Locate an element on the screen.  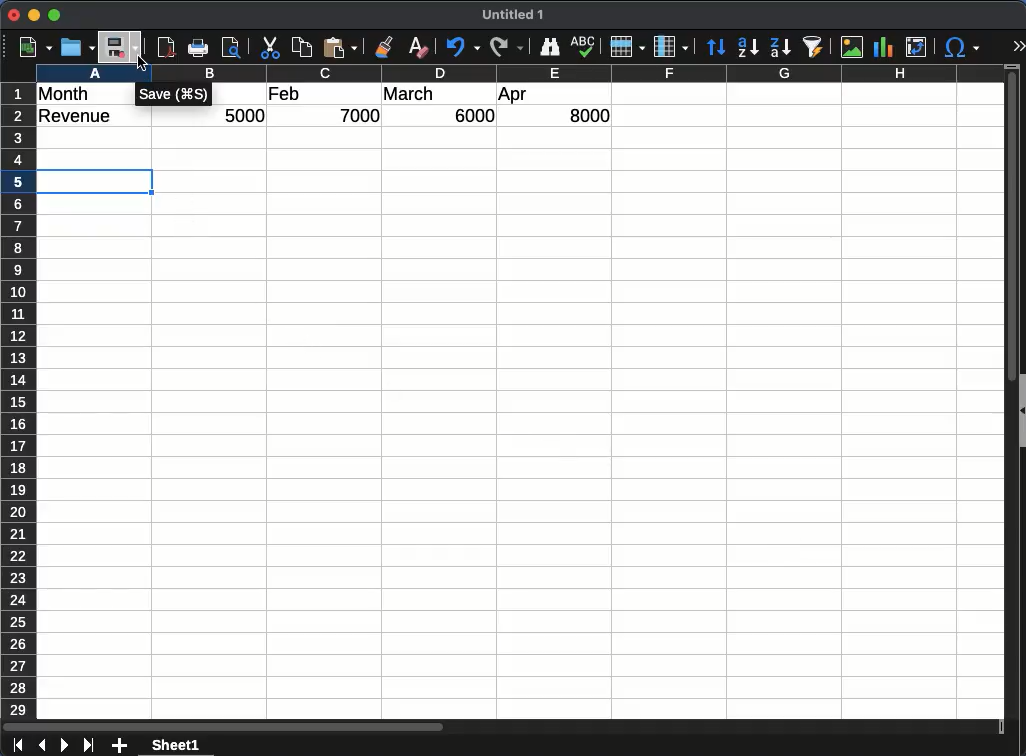
scroll is located at coordinates (1004, 402).